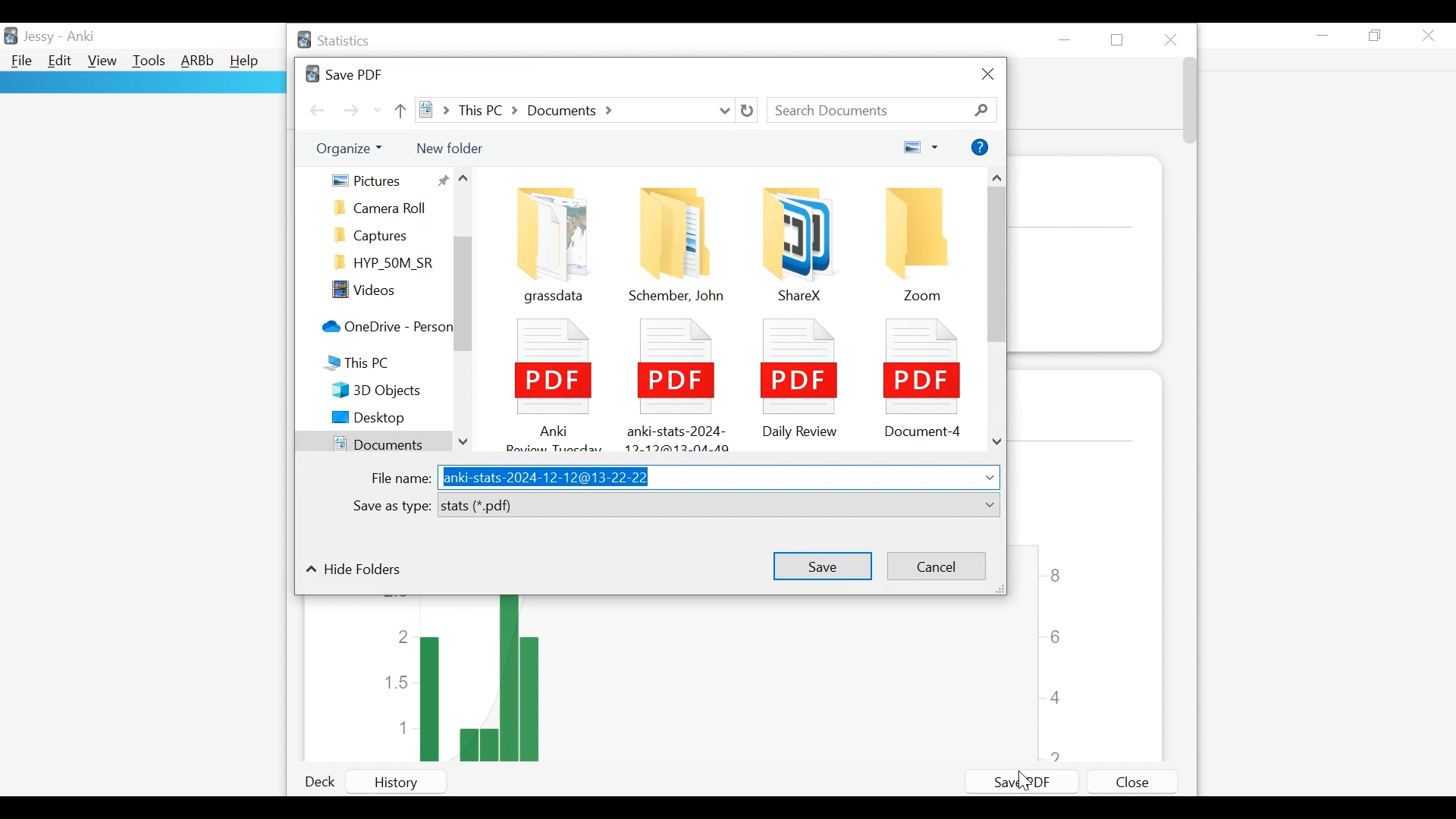 The image size is (1456, 819). I want to click on Vertical Scroll bar, so click(997, 268).